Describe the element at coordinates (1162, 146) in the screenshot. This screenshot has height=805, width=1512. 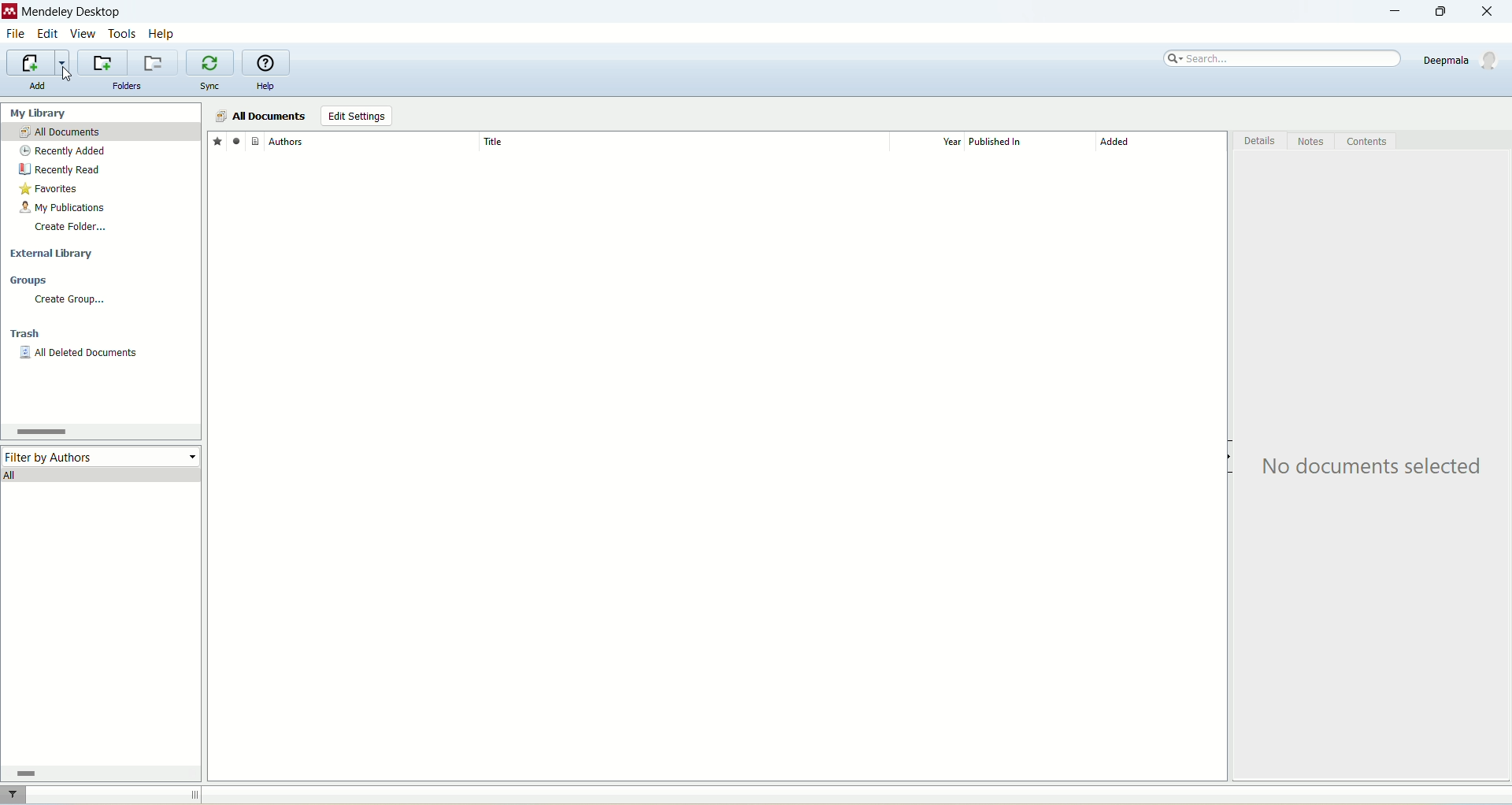
I see `added` at that location.